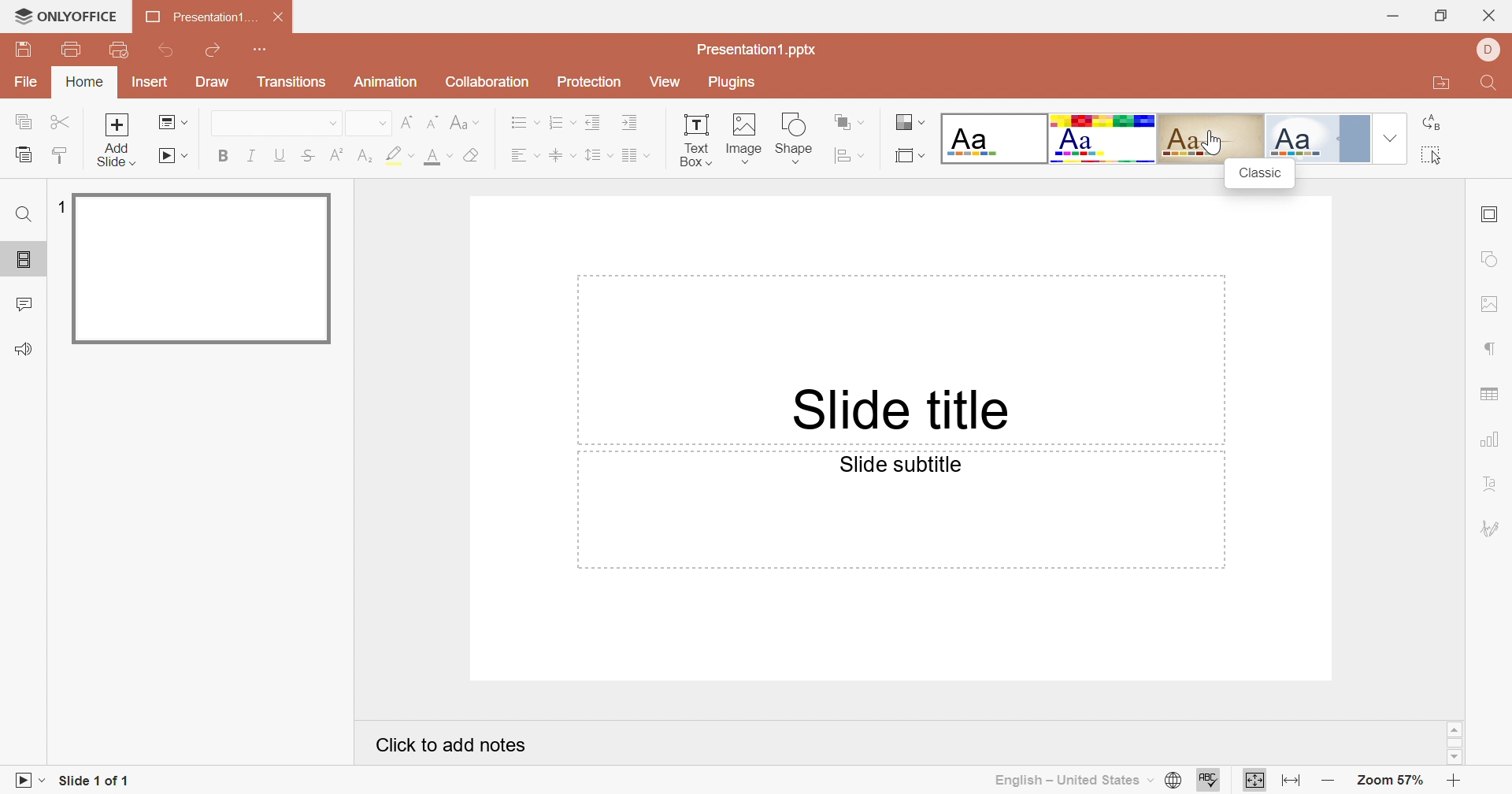 The height and width of the screenshot is (794, 1512). Describe the element at coordinates (1492, 50) in the screenshot. I see `DELL` at that location.